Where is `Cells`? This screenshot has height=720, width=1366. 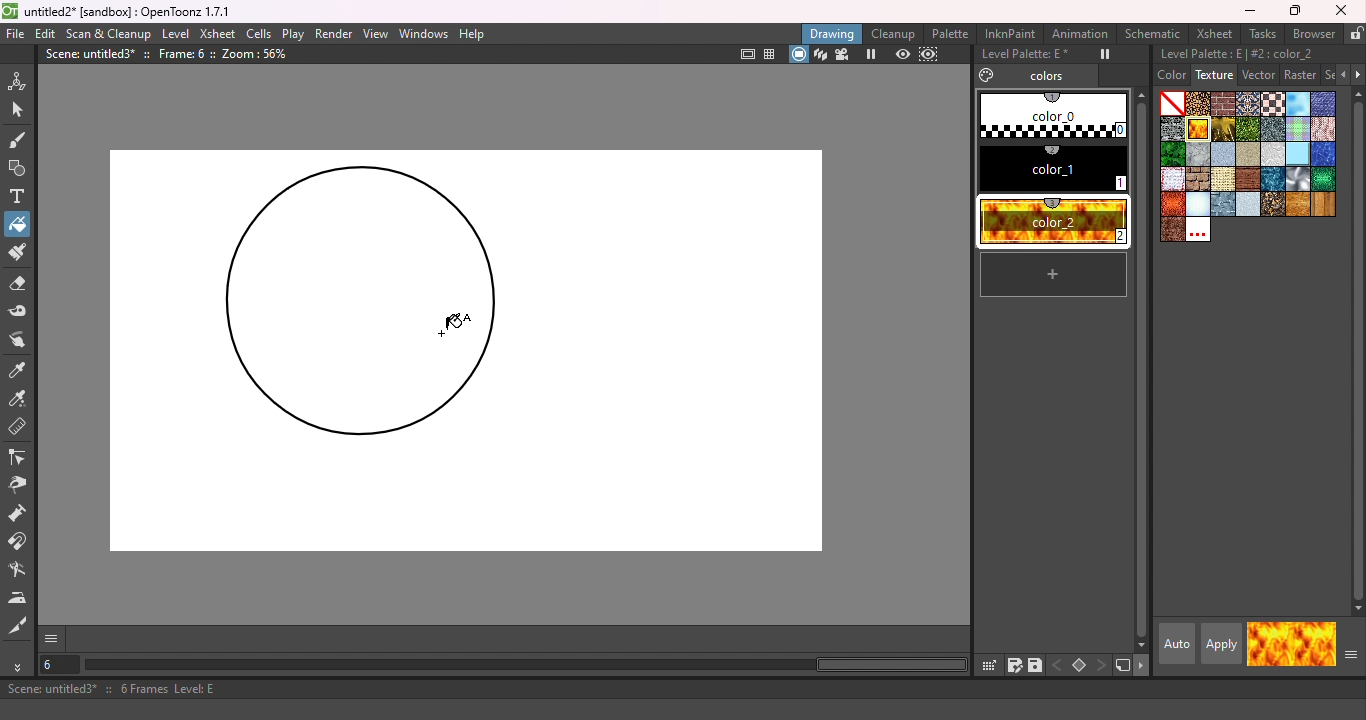
Cells is located at coordinates (258, 34).